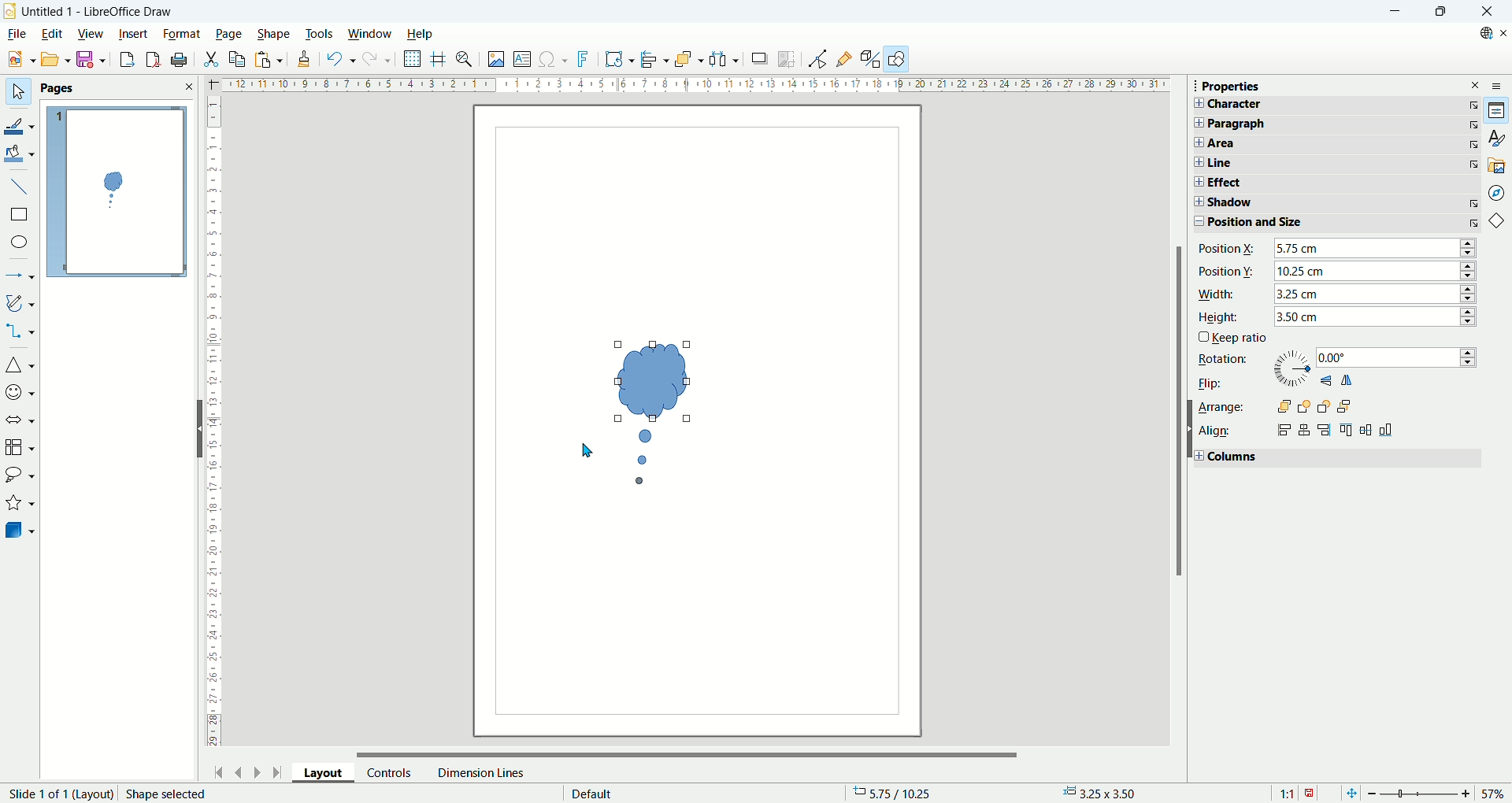 This screenshot has height=803, width=1512. I want to click on previous page, so click(240, 771).